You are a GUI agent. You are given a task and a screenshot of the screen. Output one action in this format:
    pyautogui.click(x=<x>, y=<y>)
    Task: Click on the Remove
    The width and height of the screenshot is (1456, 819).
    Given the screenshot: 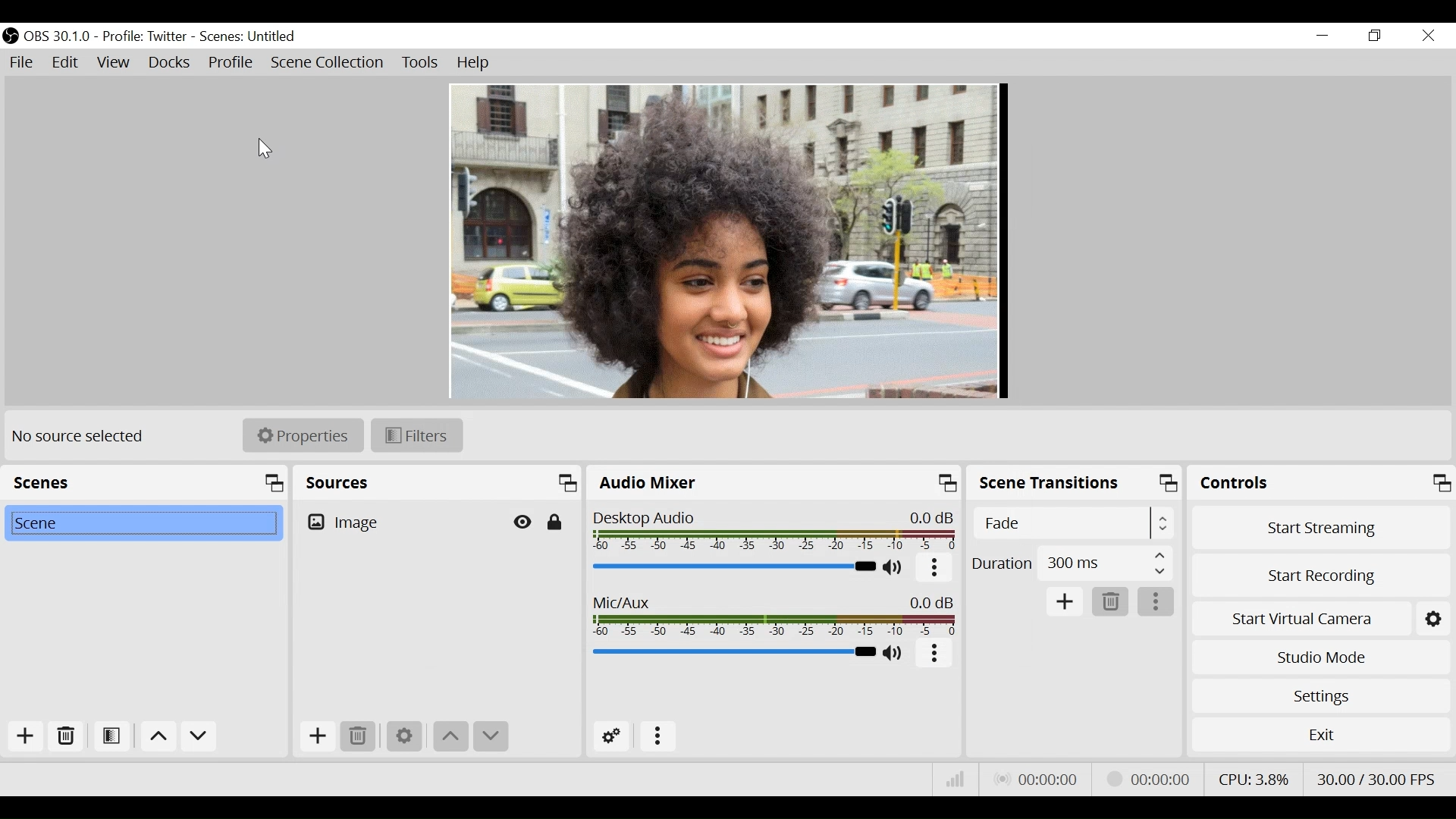 What is the action you would take?
    pyautogui.click(x=64, y=739)
    